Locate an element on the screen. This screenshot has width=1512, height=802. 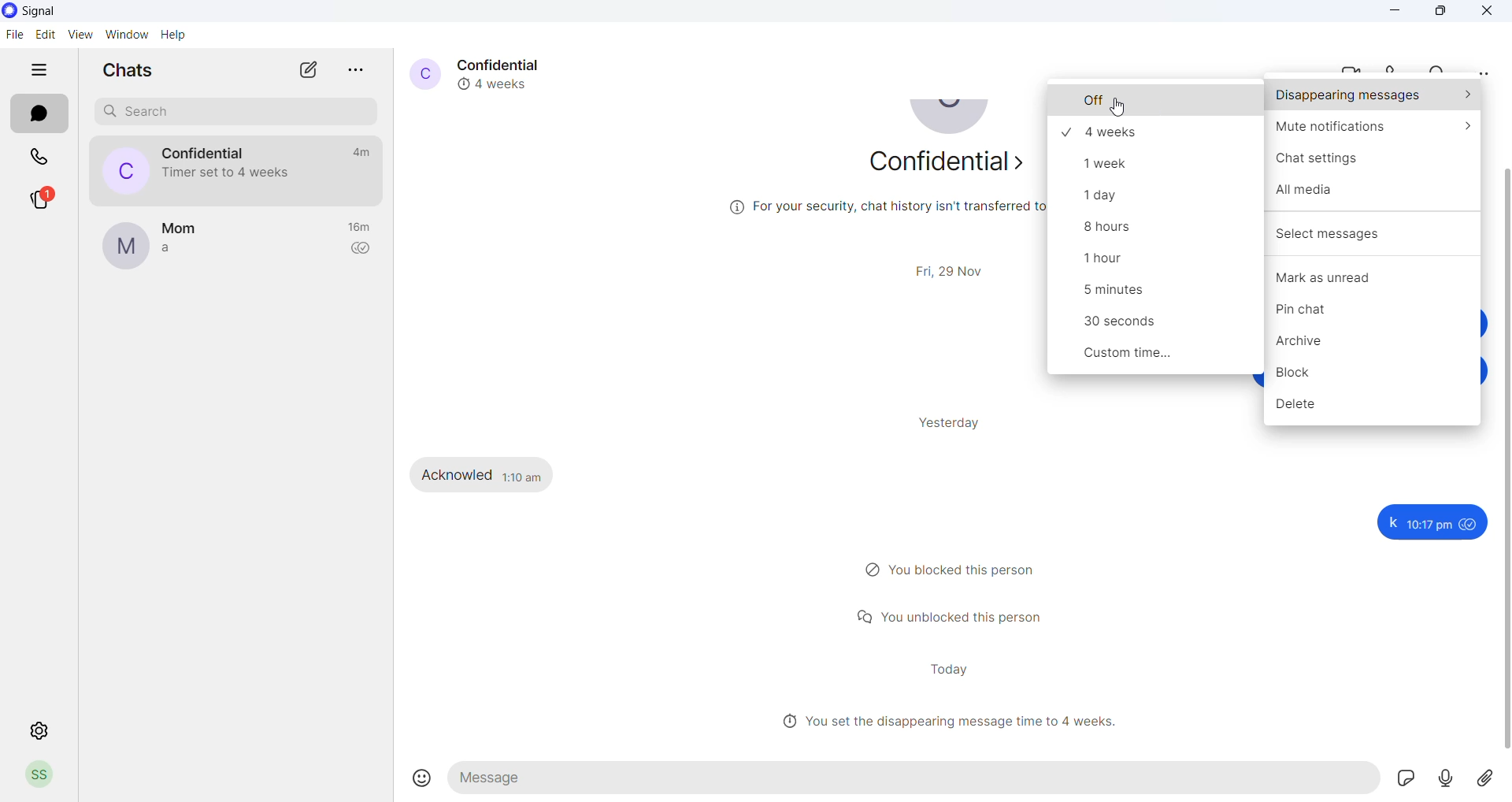
chats is located at coordinates (41, 114).